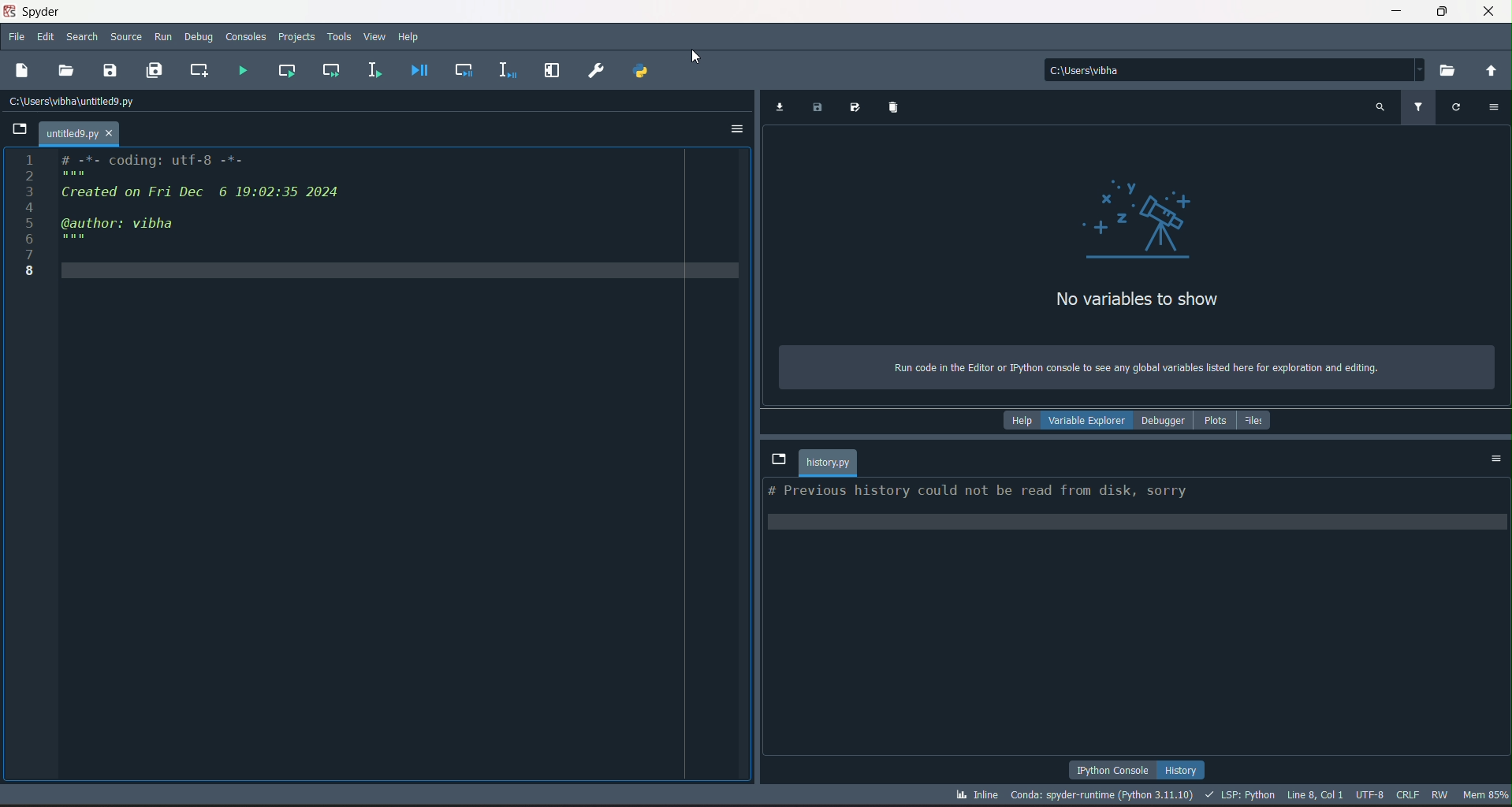 Image resolution: width=1512 pixels, height=807 pixels. What do you see at coordinates (1137, 299) in the screenshot?
I see `text` at bounding box center [1137, 299].